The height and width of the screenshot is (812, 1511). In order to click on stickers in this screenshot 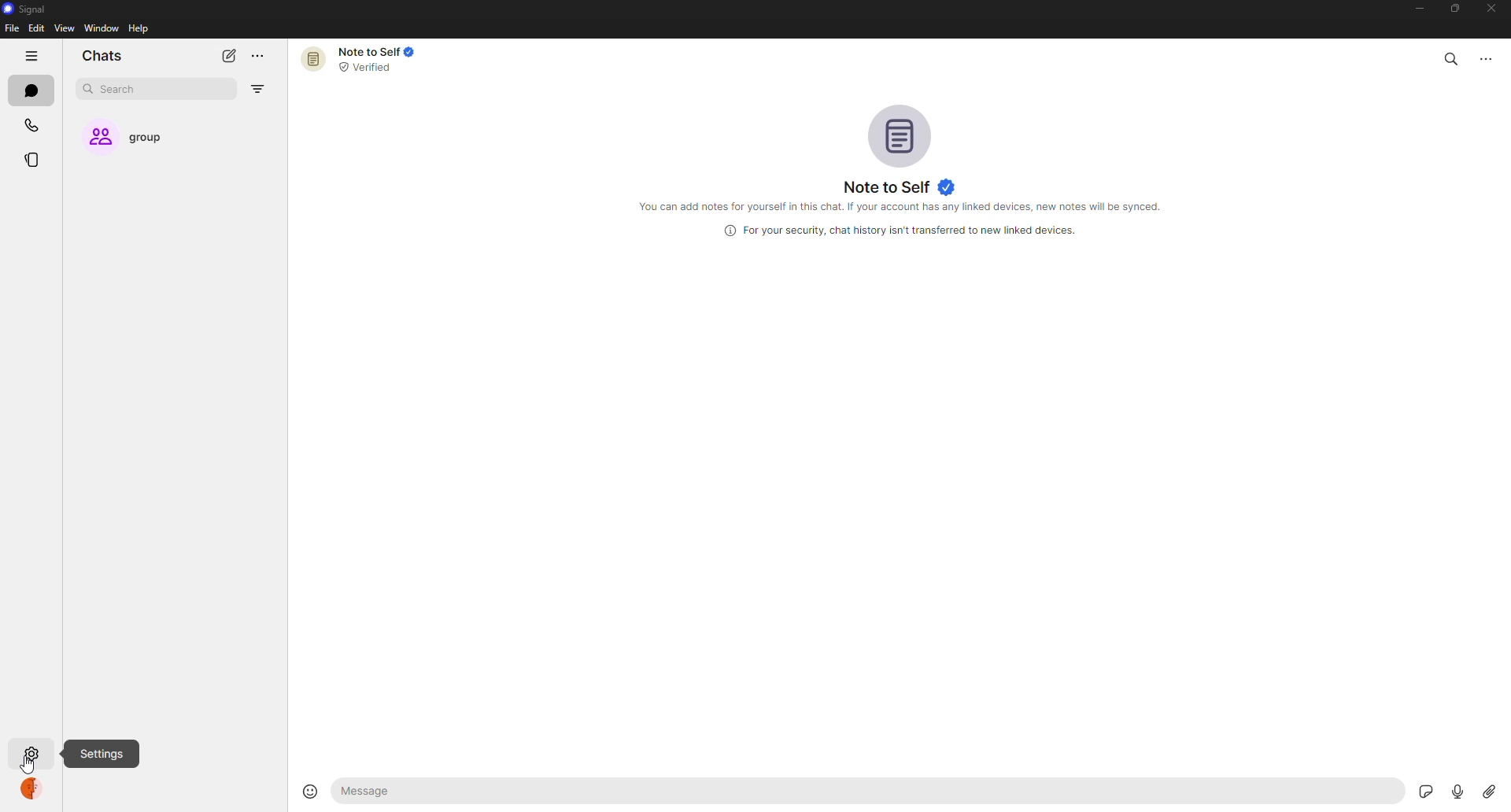, I will do `click(1423, 791)`.